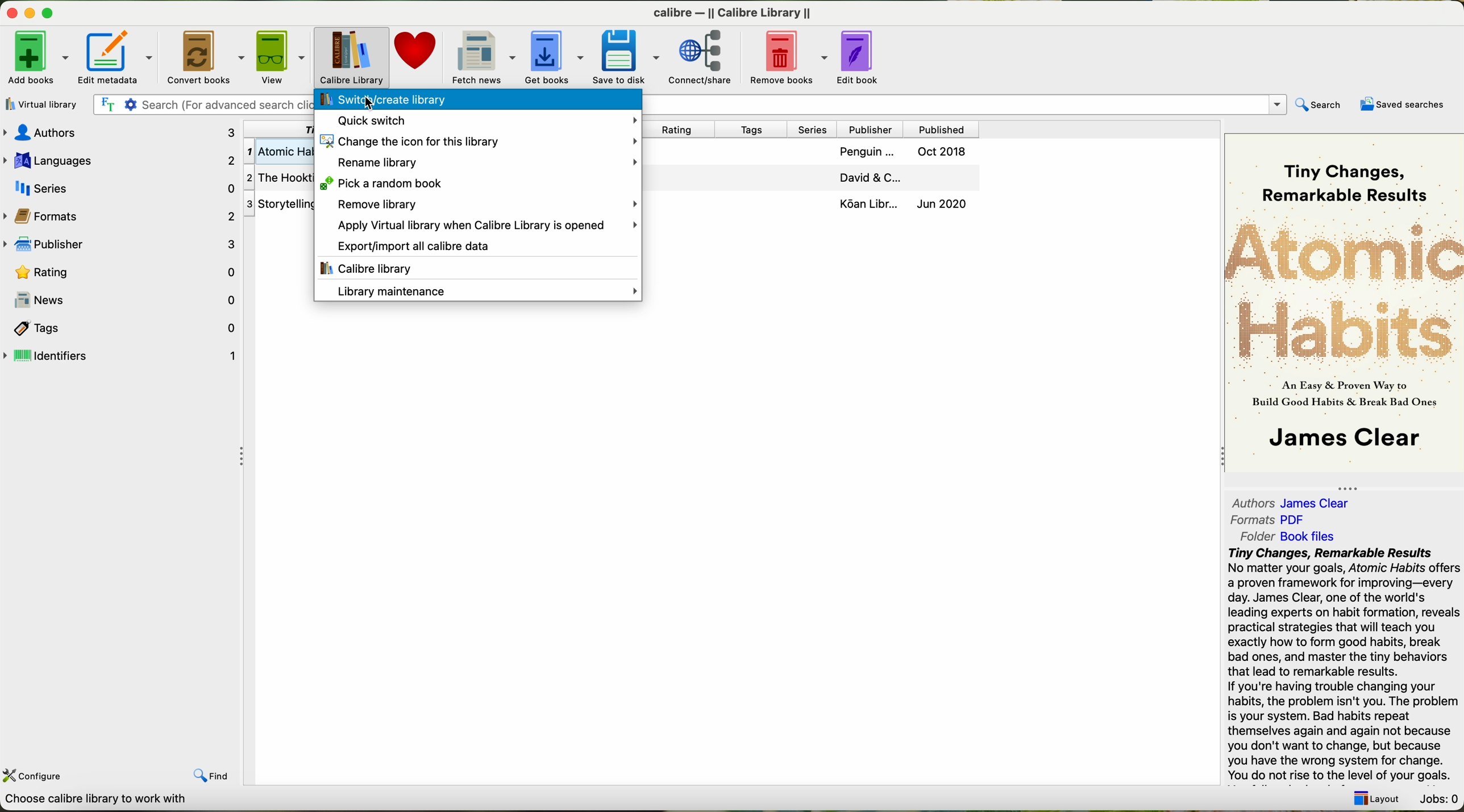 Image resolution: width=1464 pixels, height=812 pixels. I want to click on 3 storytelling, so click(281, 203).